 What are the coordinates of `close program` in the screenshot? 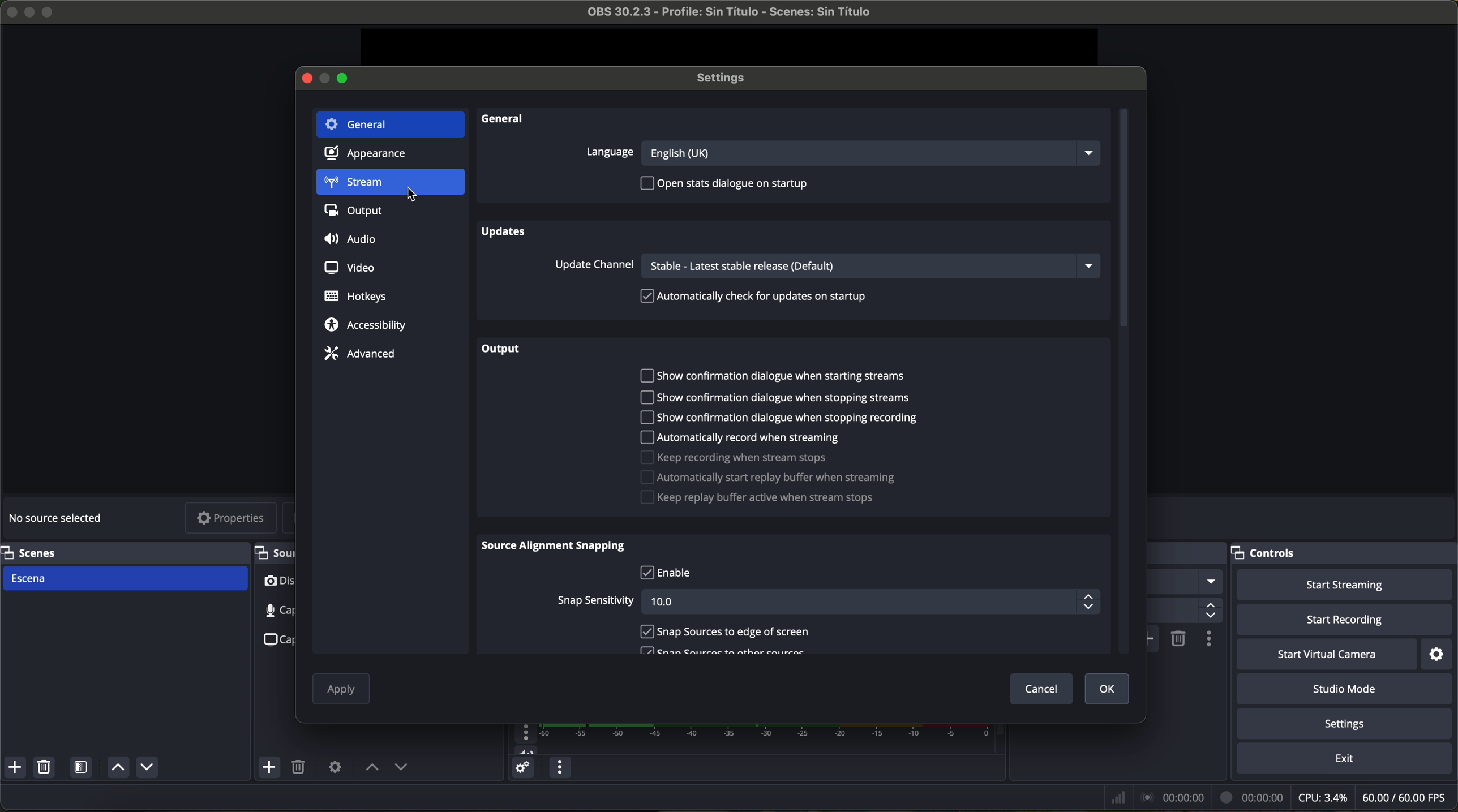 It's located at (9, 10).